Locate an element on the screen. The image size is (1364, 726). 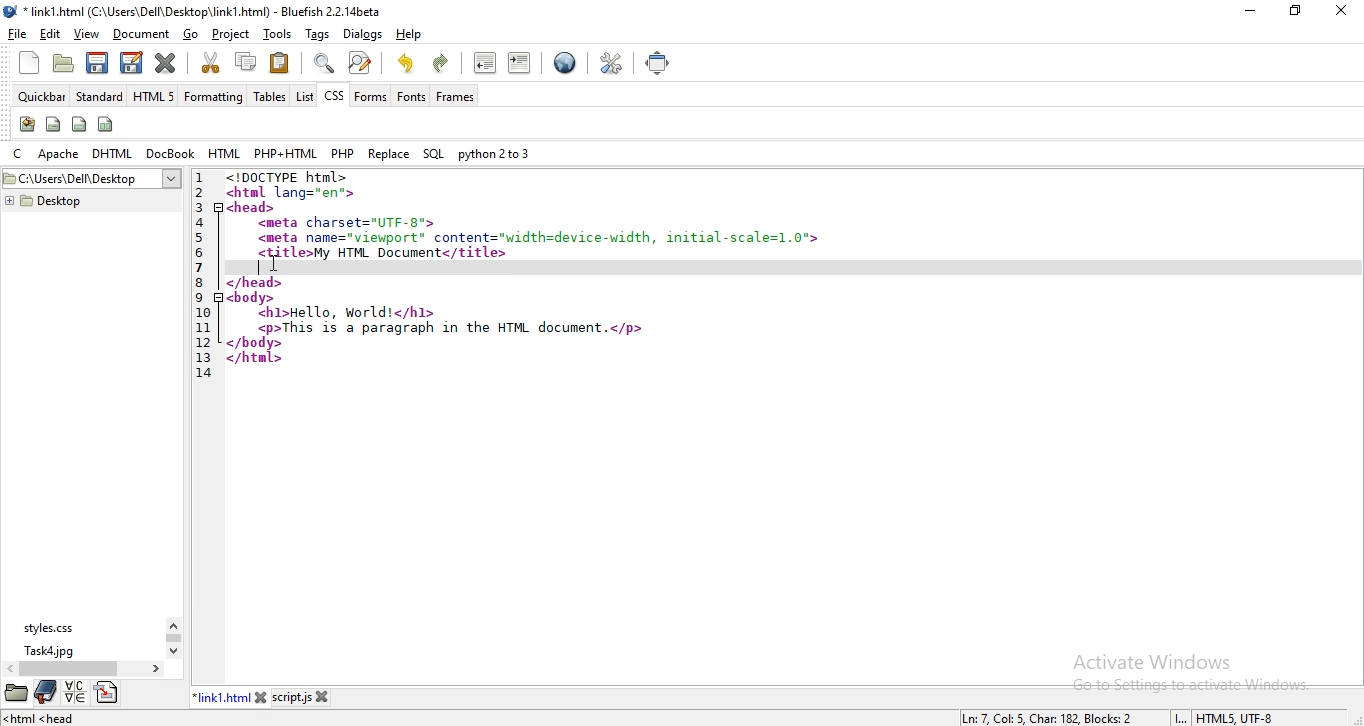
code fold is located at coordinates (220, 208).